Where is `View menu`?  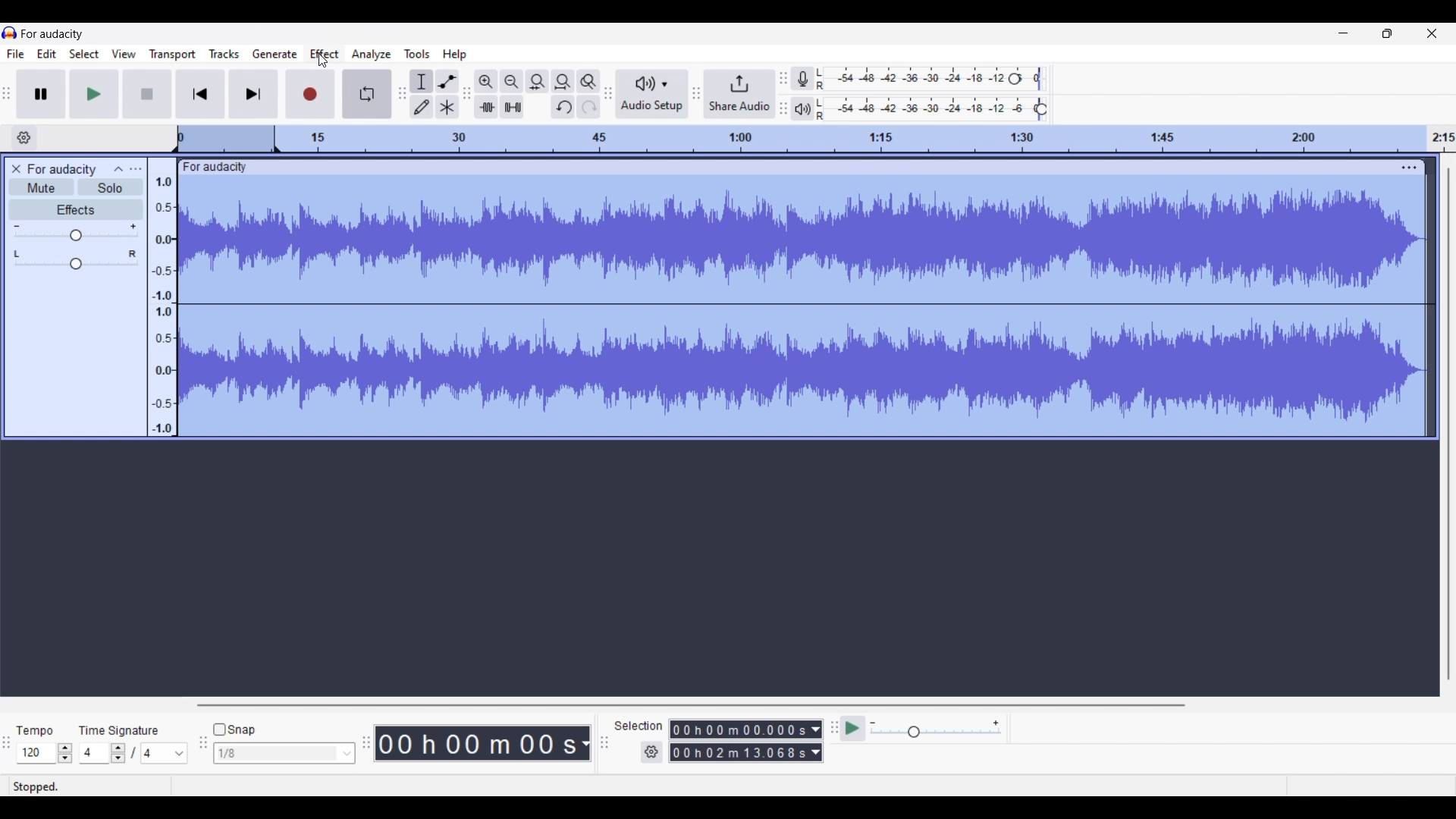 View menu is located at coordinates (124, 54).